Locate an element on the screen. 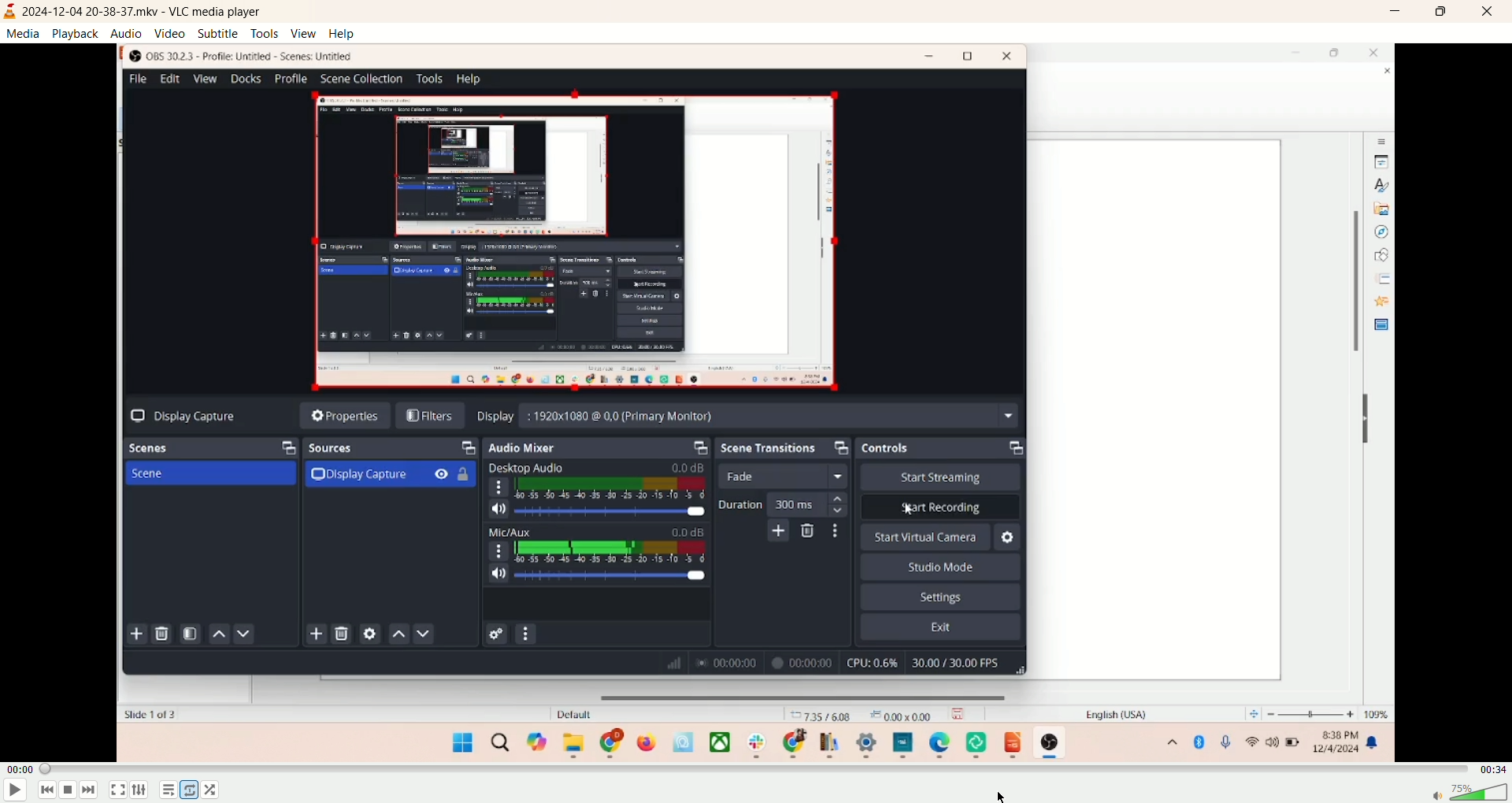  cursor is located at coordinates (997, 795).